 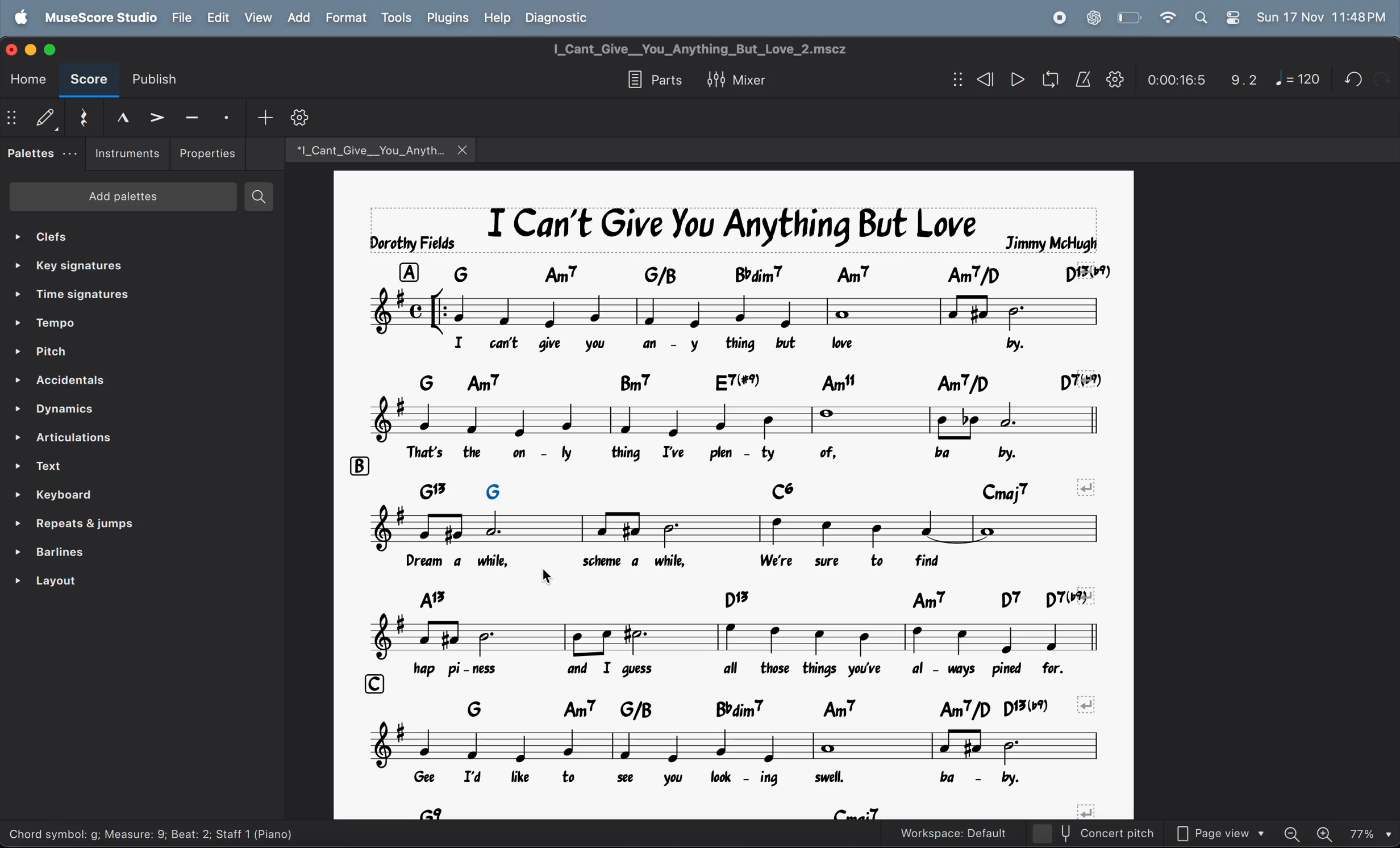 I want to click on notes, so click(x=732, y=745).